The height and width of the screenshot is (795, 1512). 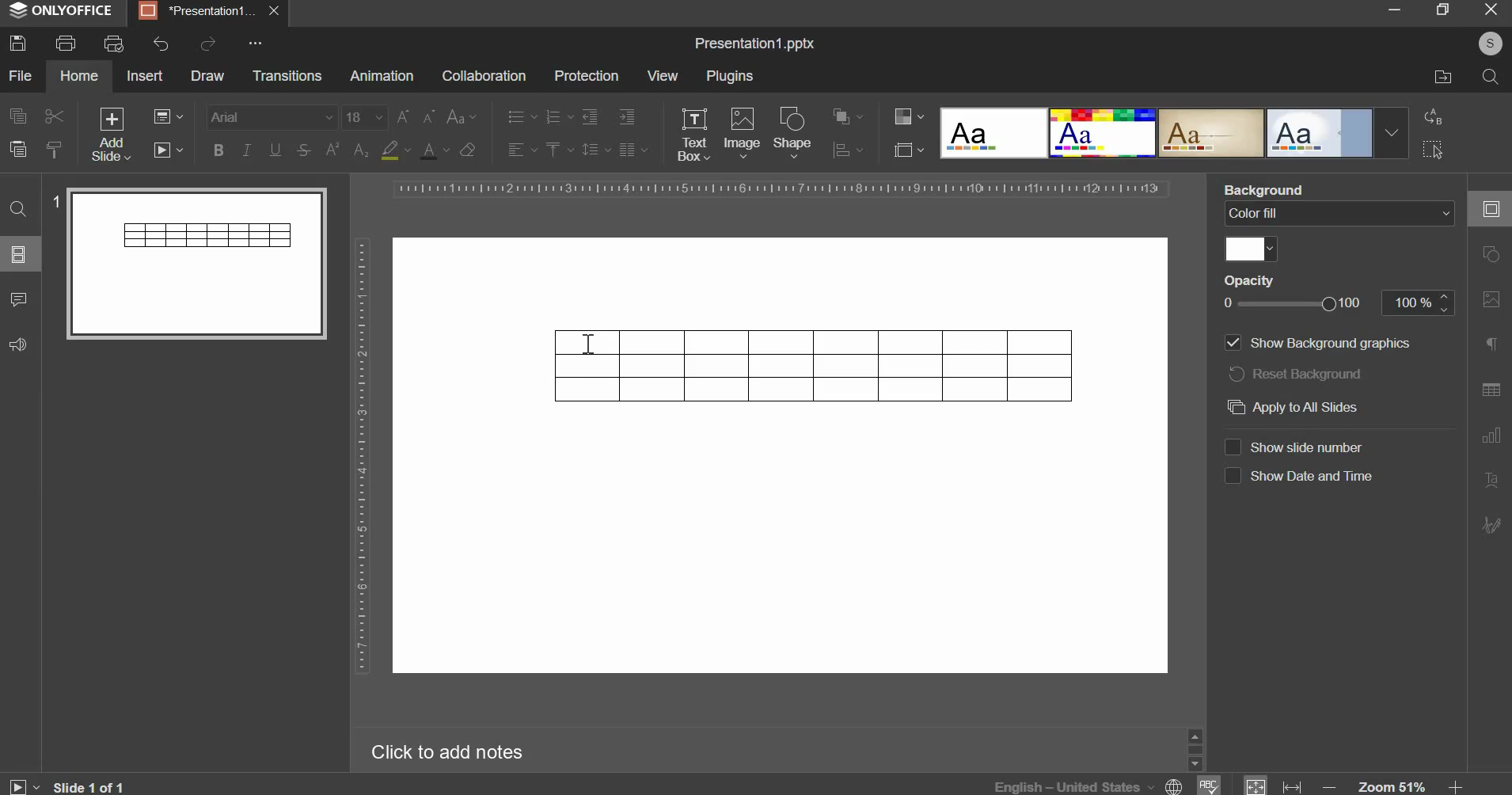 What do you see at coordinates (633, 150) in the screenshot?
I see `justified` at bounding box center [633, 150].